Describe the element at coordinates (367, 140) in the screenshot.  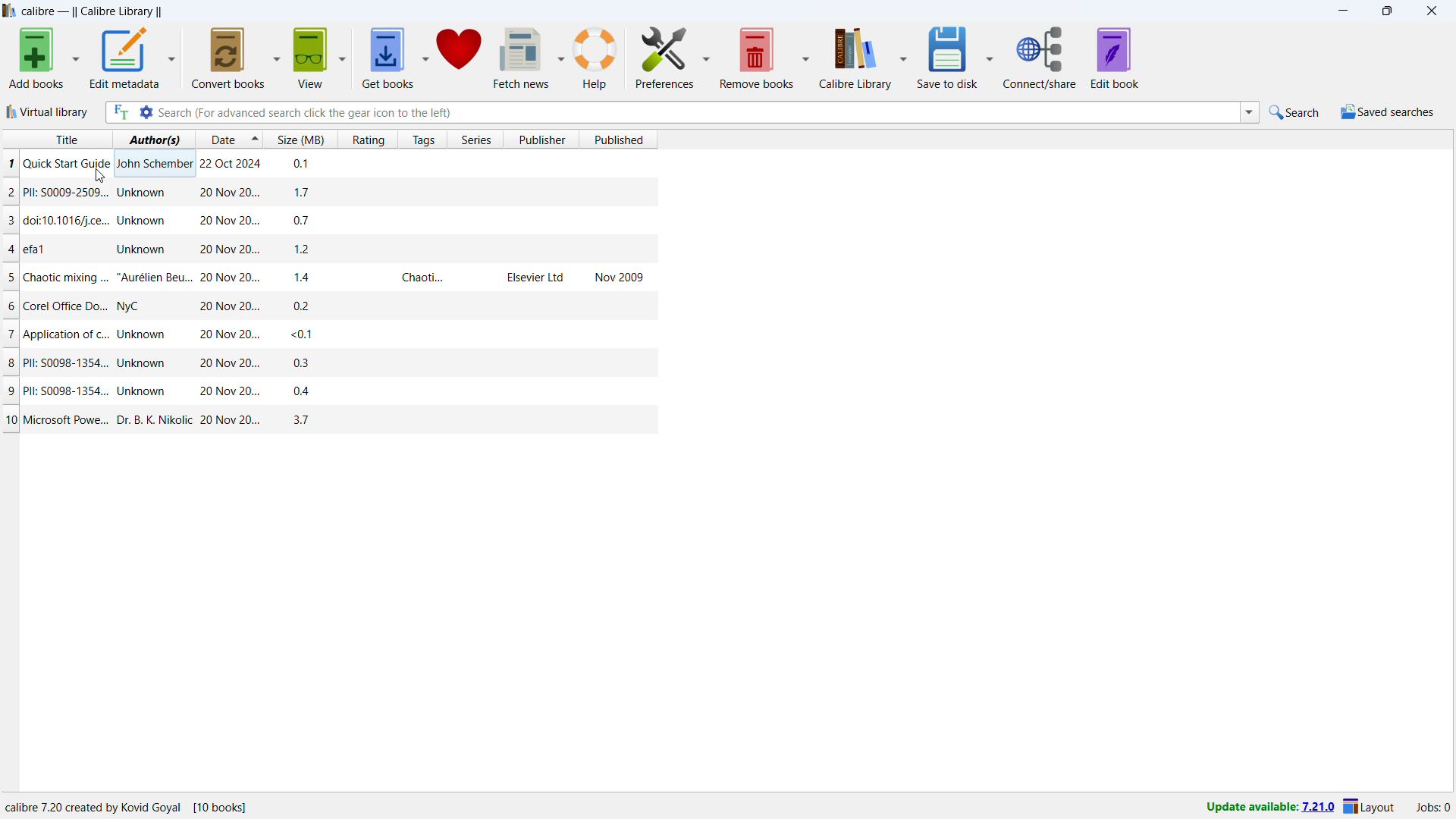
I see `sort by rating` at that location.